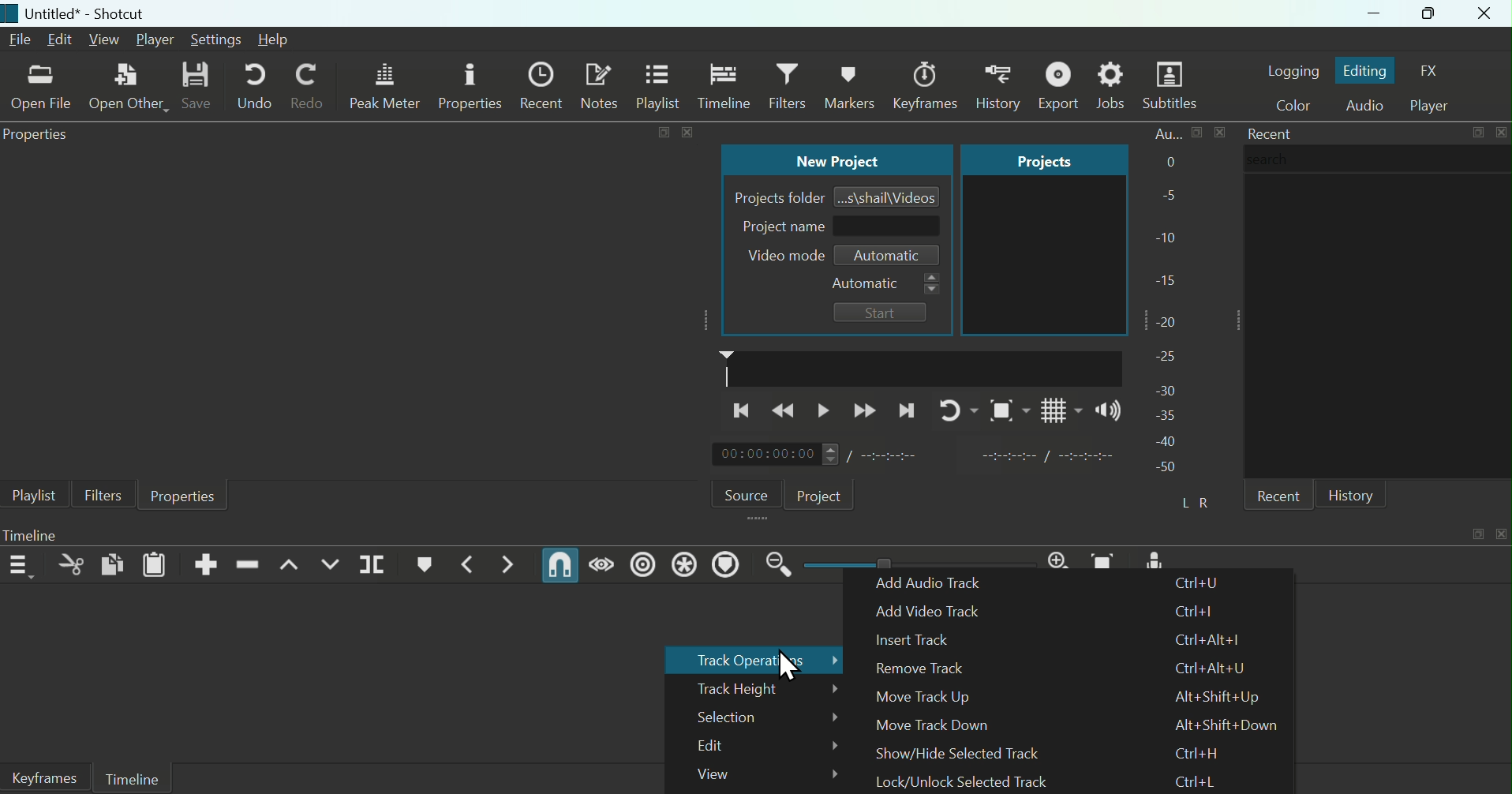 The height and width of the screenshot is (794, 1512). Describe the element at coordinates (426, 564) in the screenshot. I see `Create/Edit Marker` at that location.